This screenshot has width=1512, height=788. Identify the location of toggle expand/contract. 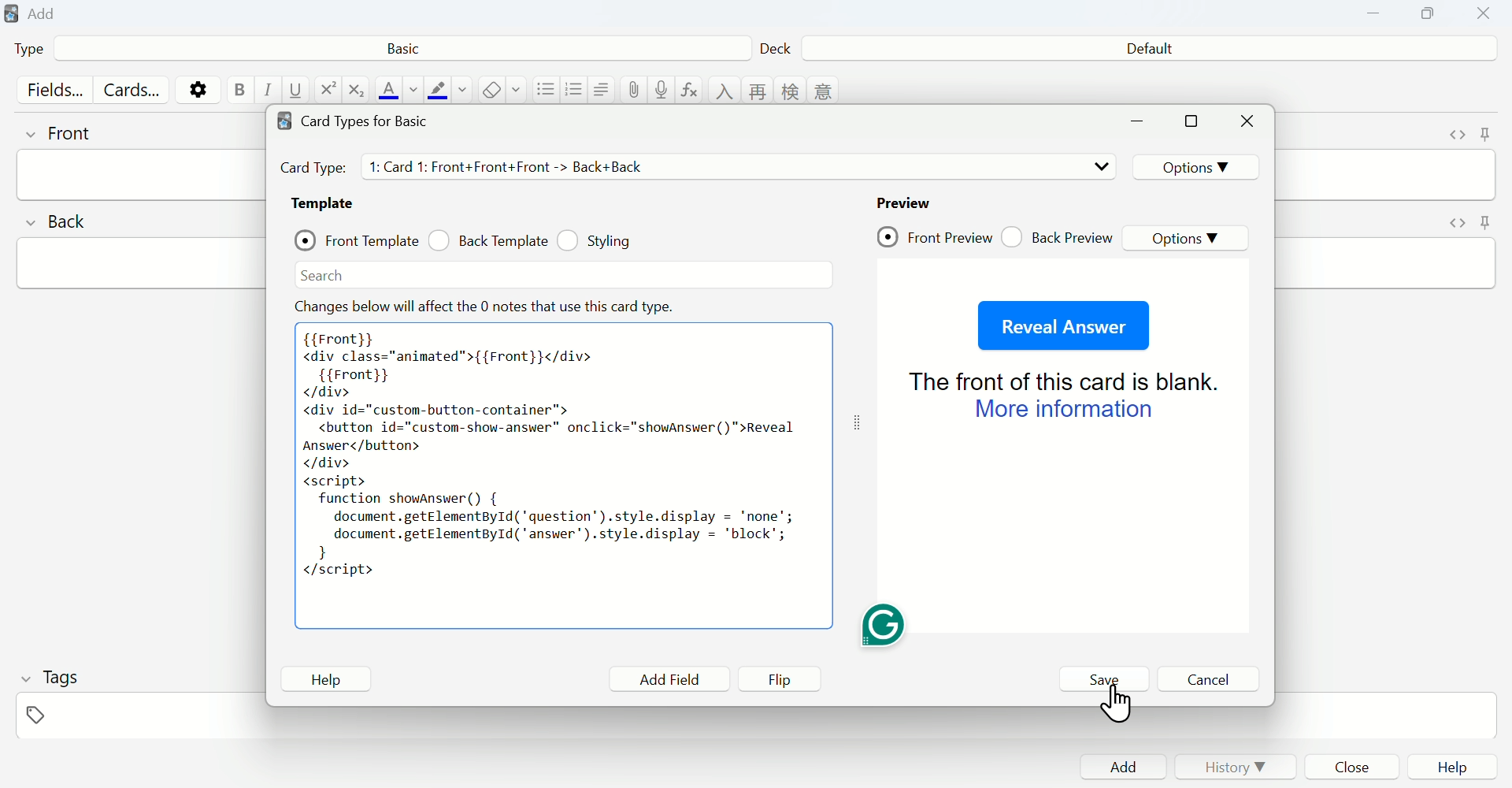
(858, 424).